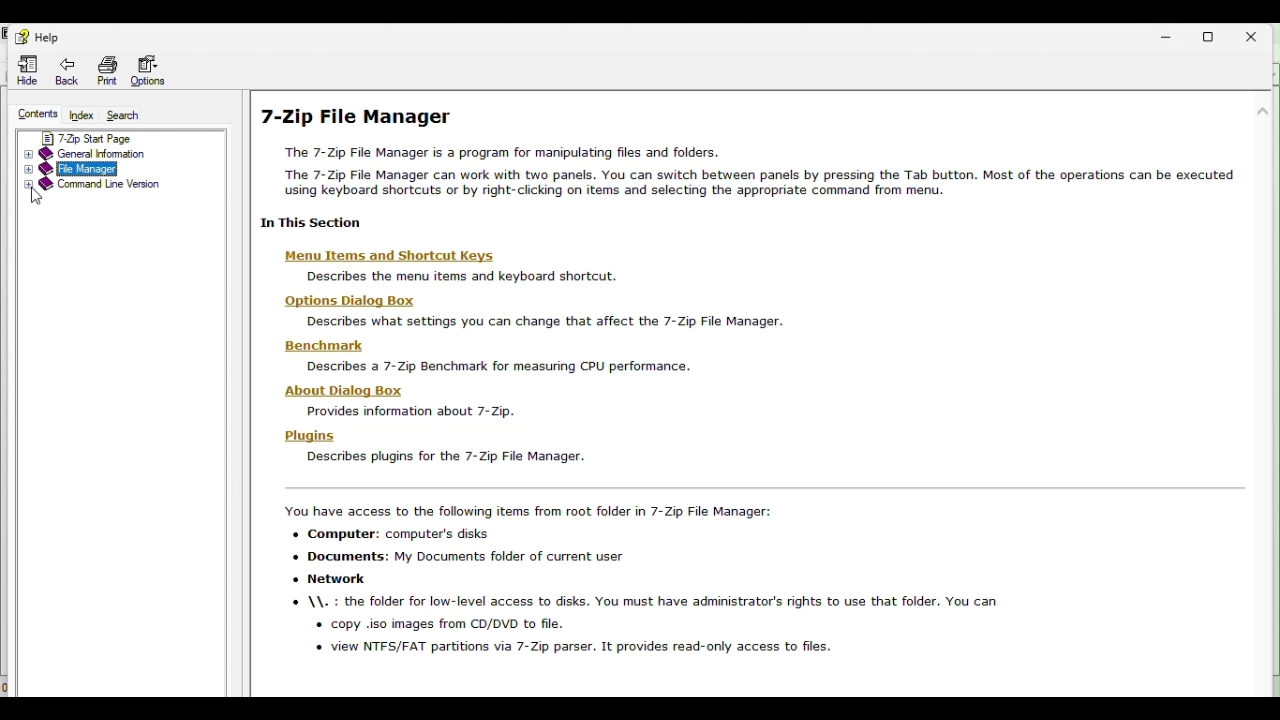 This screenshot has width=1280, height=720. I want to click on help, so click(43, 35).